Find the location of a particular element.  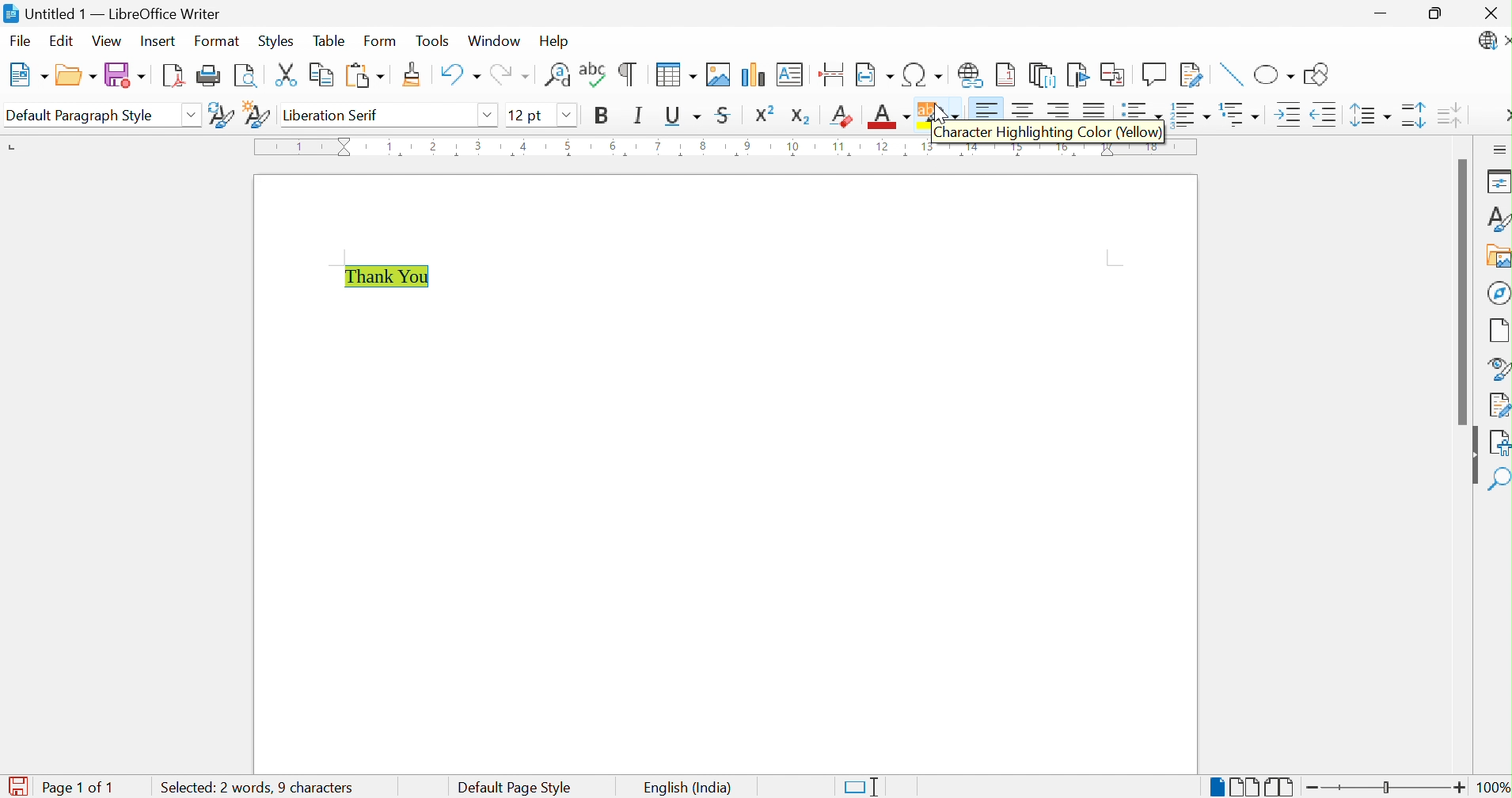

12 pt is located at coordinates (527, 113).